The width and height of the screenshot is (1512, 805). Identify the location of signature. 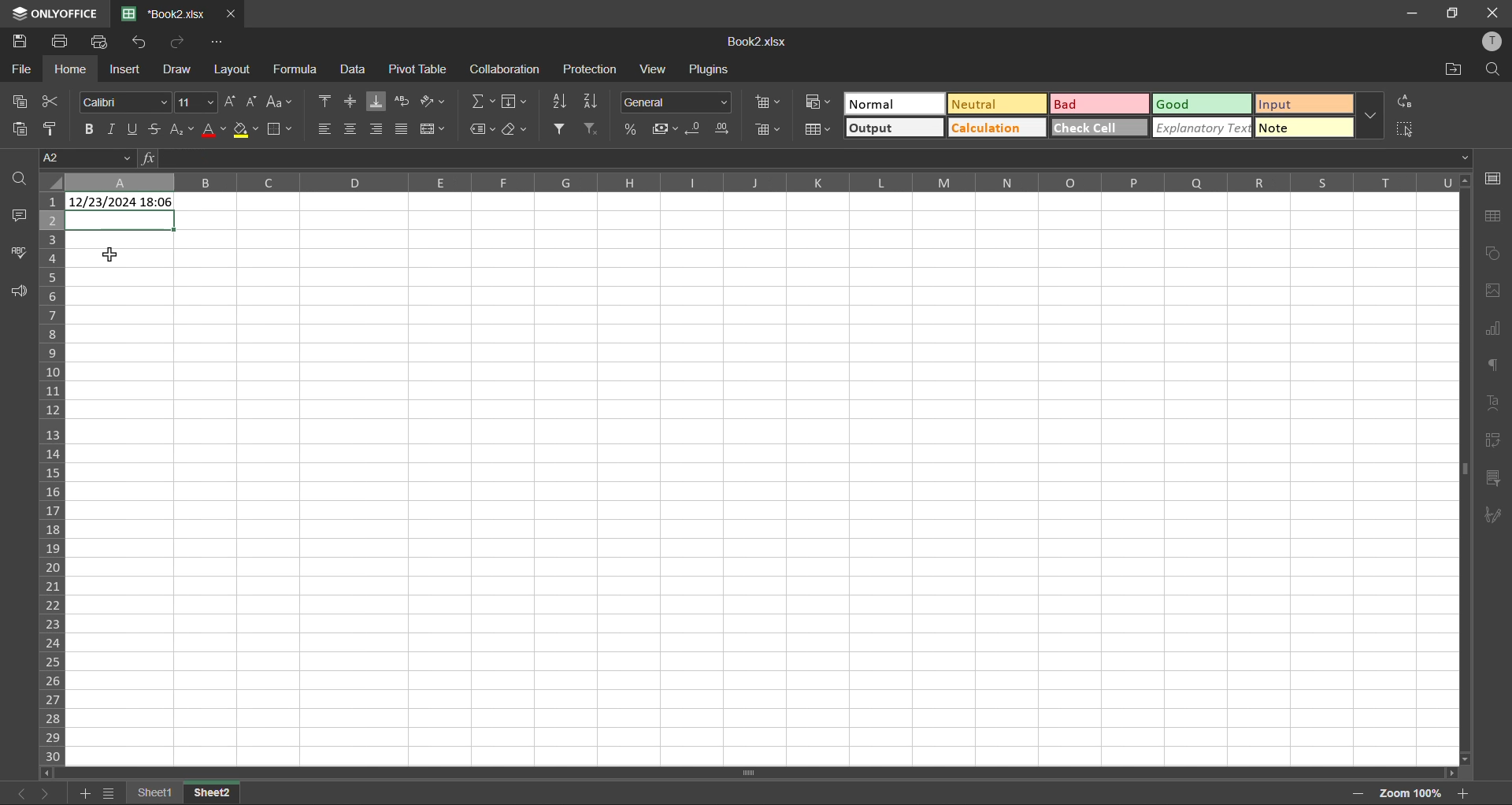
(1490, 517).